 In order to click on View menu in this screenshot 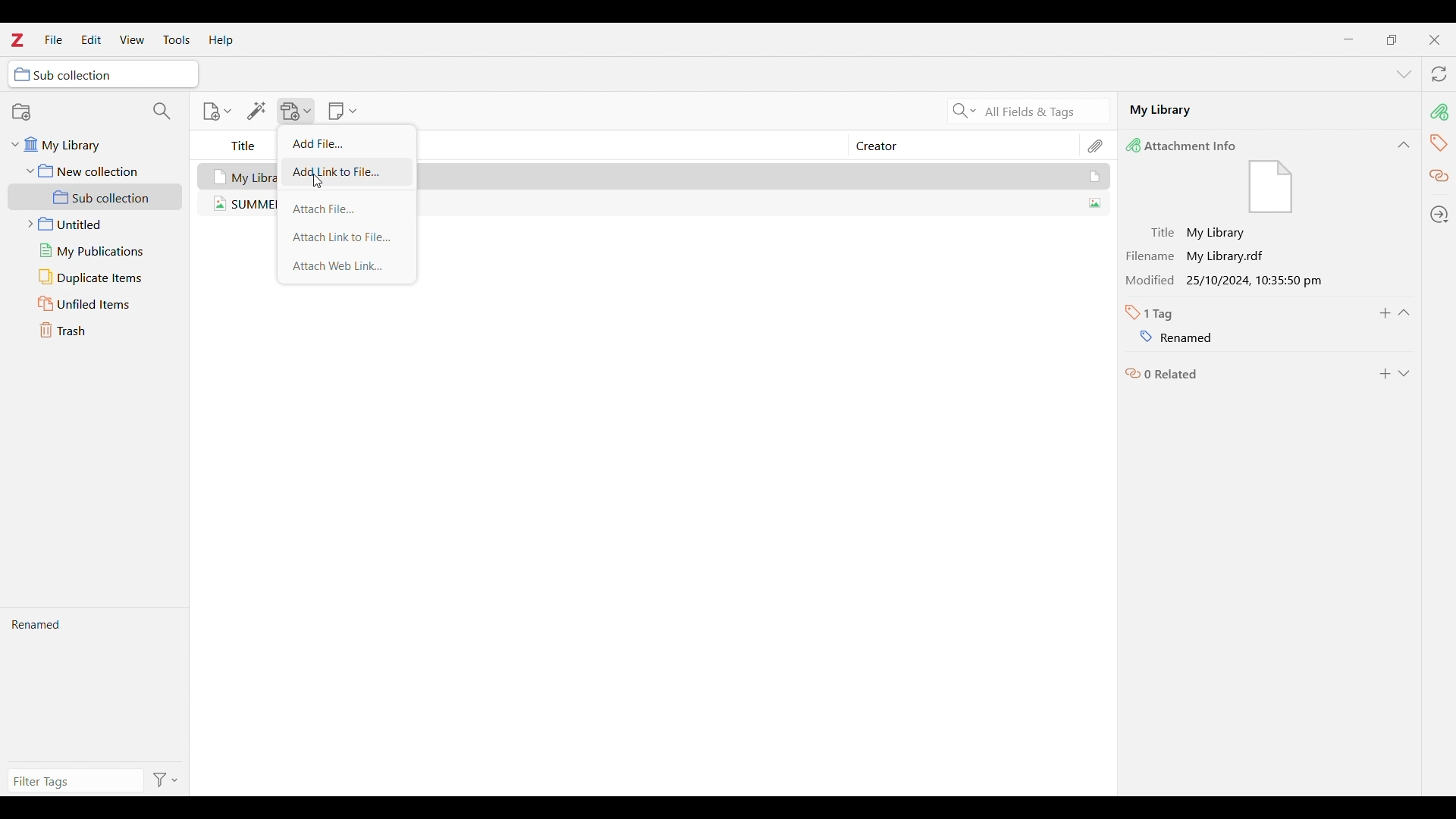, I will do `click(131, 39)`.